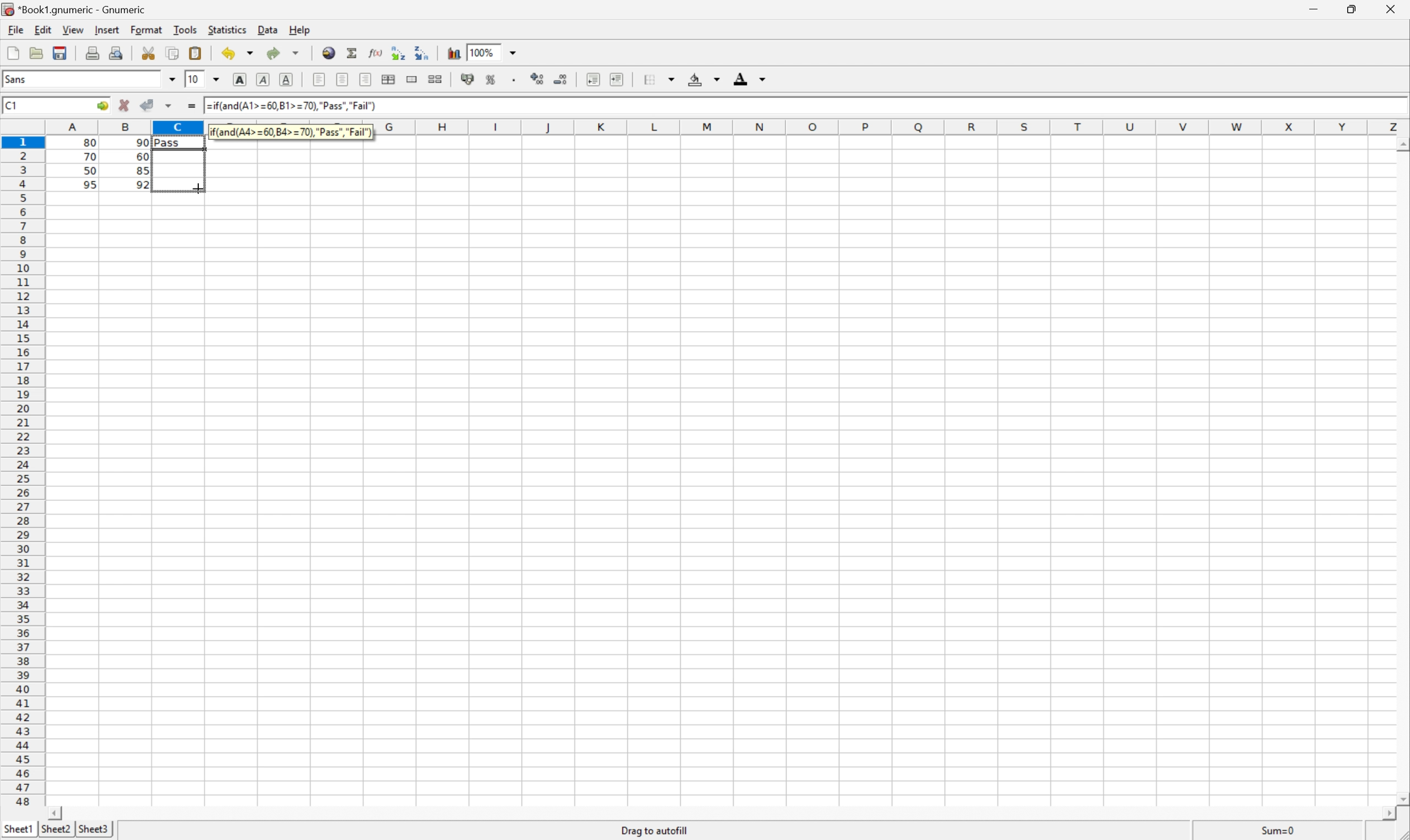 The height and width of the screenshot is (840, 1410). What do you see at coordinates (376, 54) in the screenshot?
I see `Edit a function in the current cell` at bounding box center [376, 54].